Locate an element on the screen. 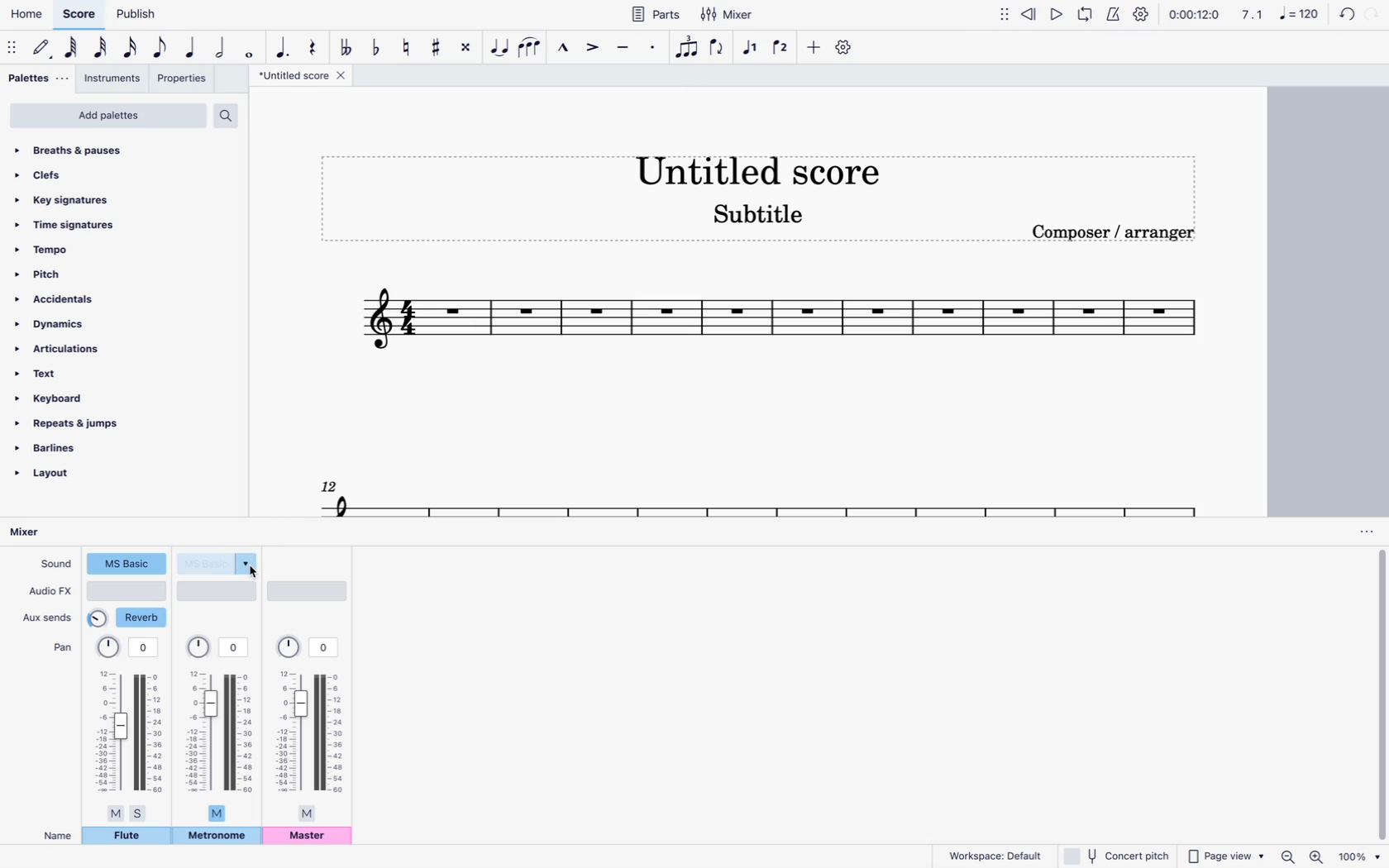 This screenshot has width=1389, height=868. quarter note is located at coordinates (191, 48).